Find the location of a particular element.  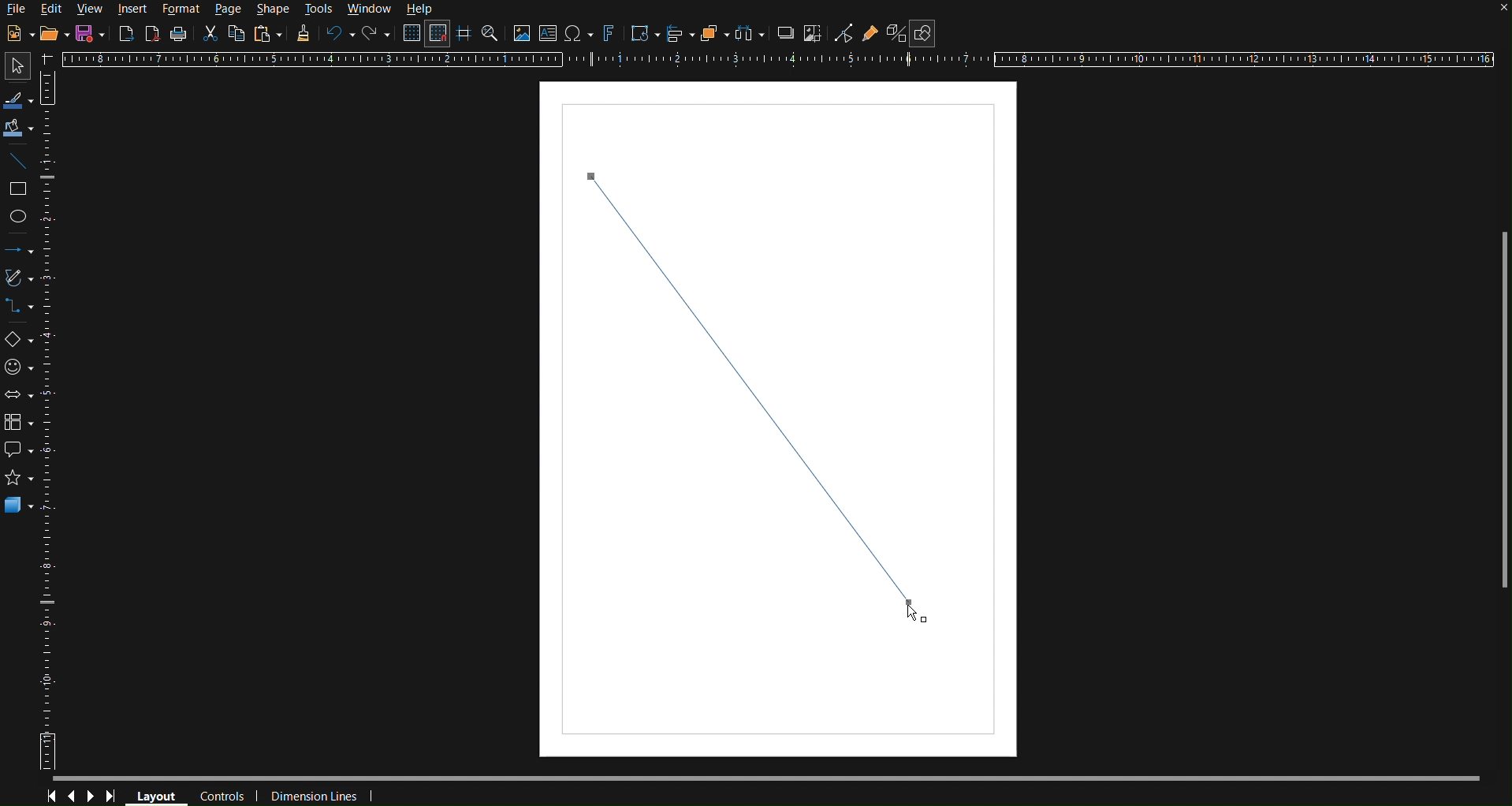

Lines and Arrows is located at coordinates (19, 250).